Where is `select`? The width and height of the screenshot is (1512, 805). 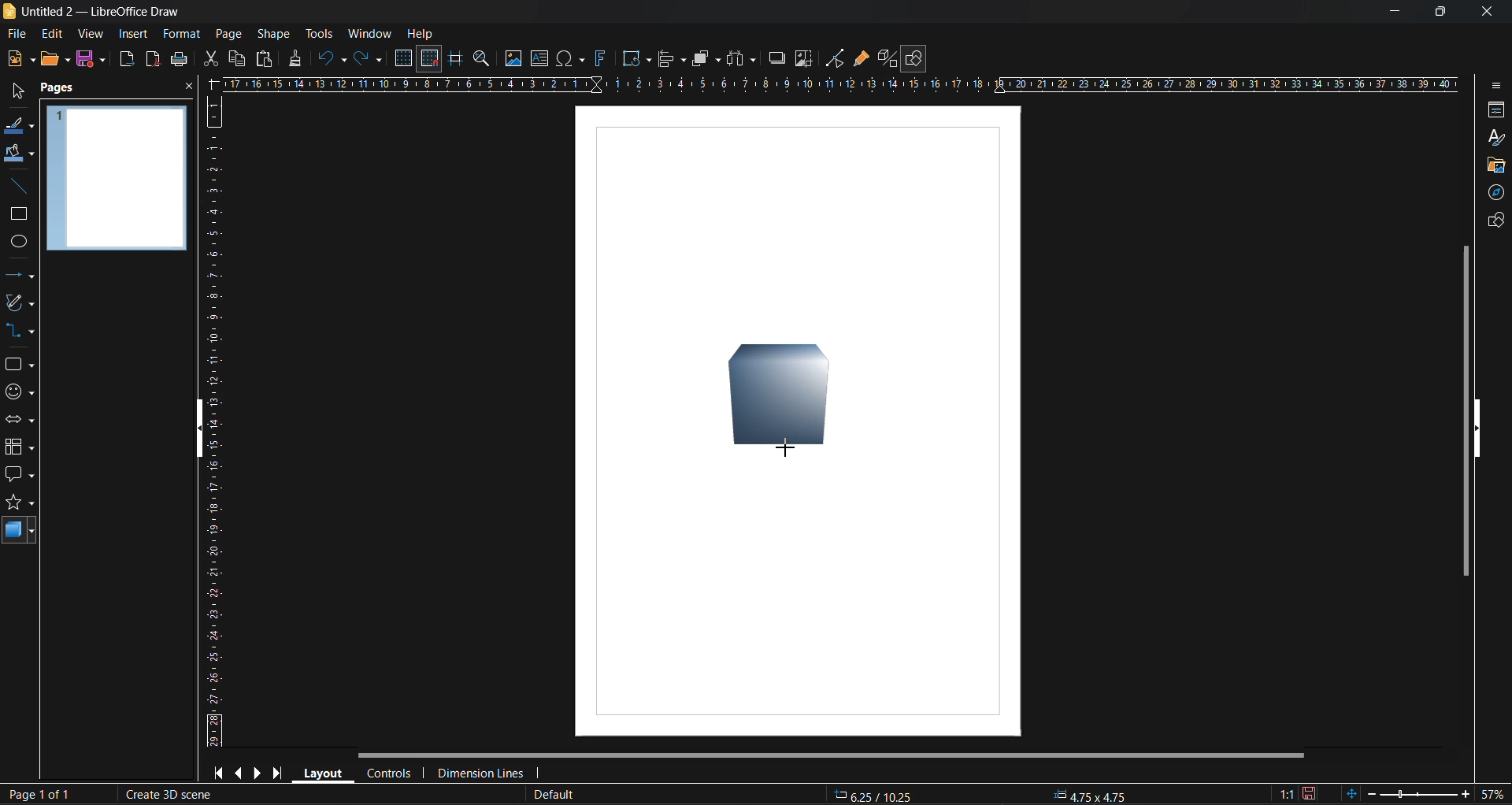 select is located at coordinates (14, 94).